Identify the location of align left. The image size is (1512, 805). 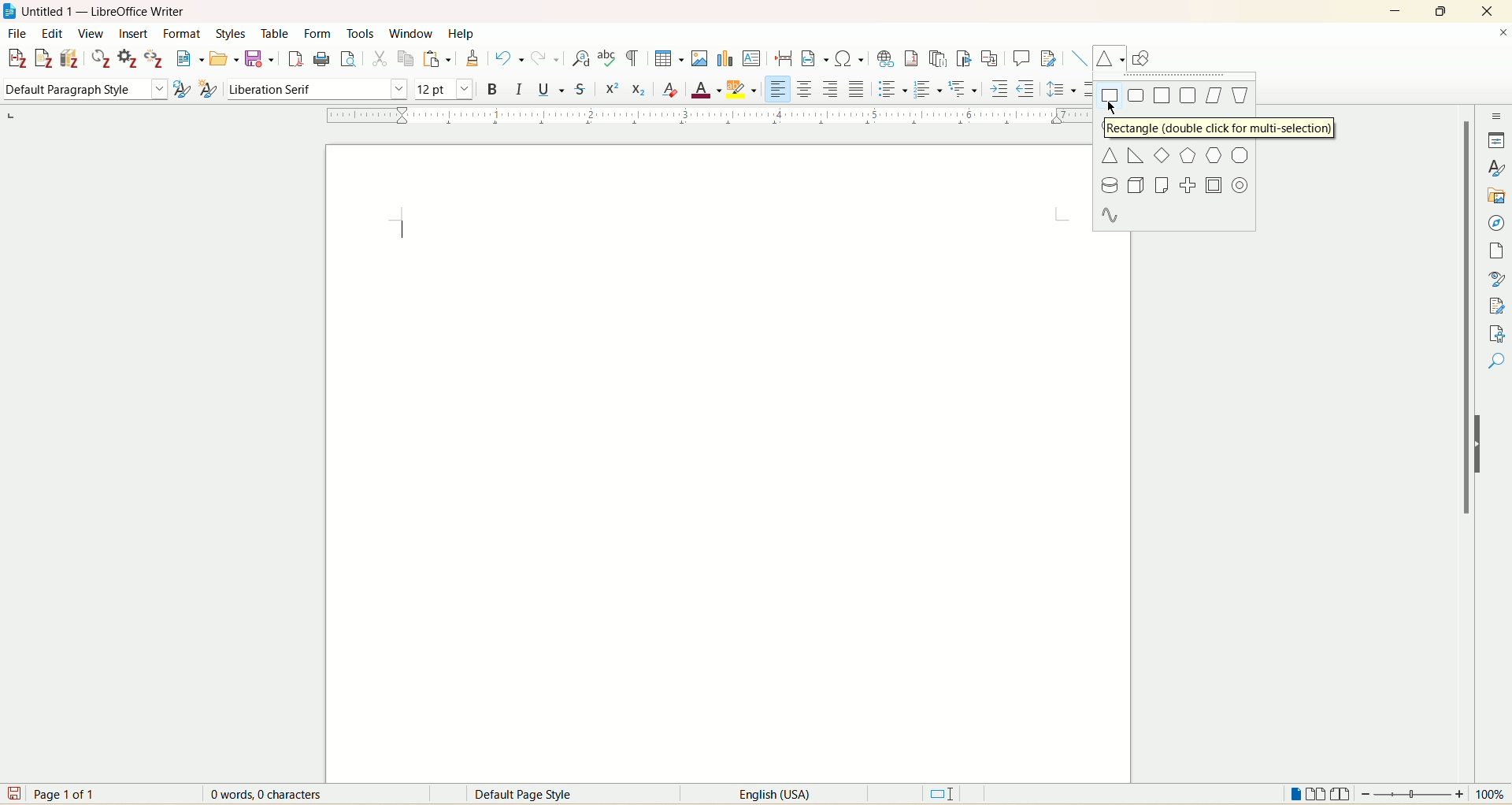
(780, 89).